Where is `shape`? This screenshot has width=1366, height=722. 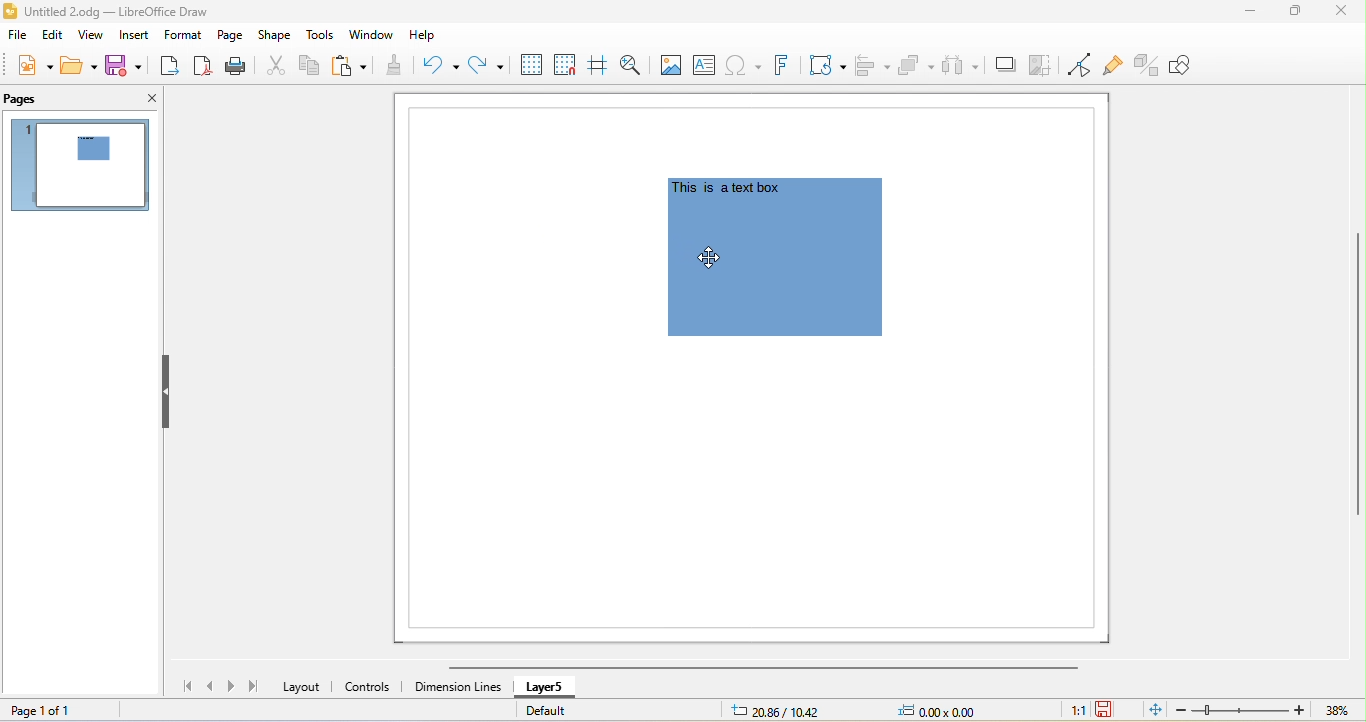 shape is located at coordinates (275, 35).